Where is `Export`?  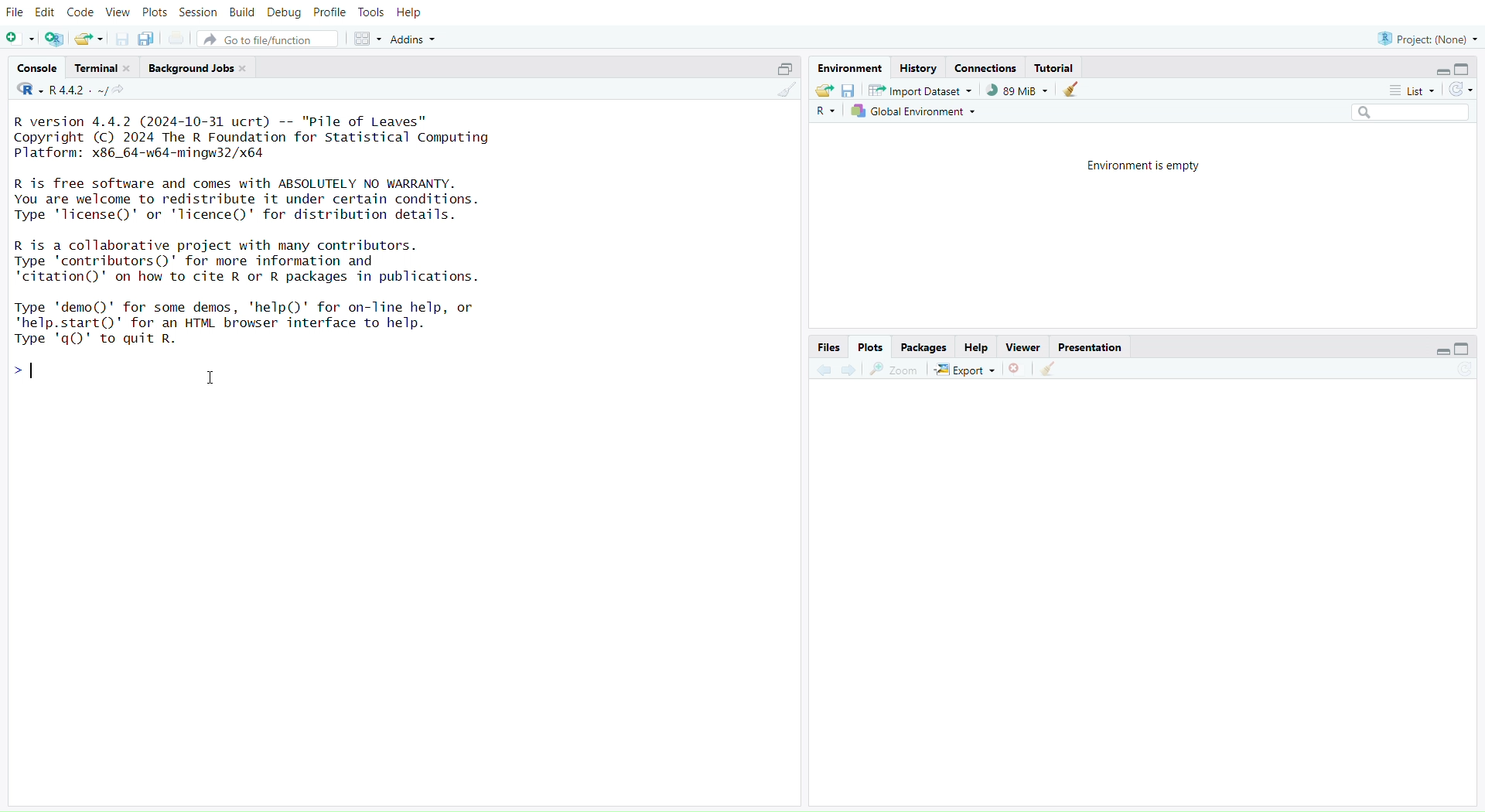 Export is located at coordinates (965, 369).